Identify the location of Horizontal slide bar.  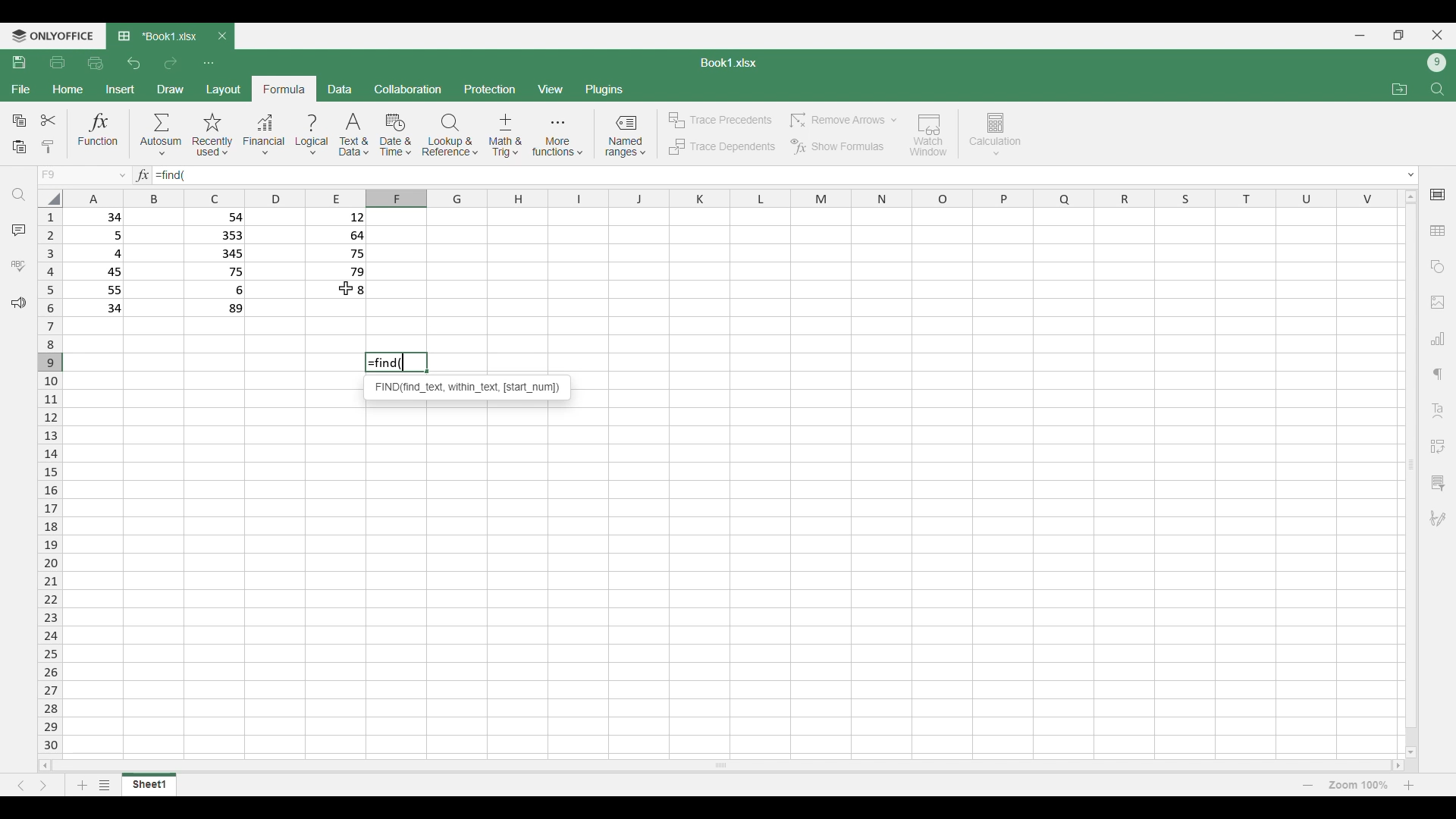
(721, 764).